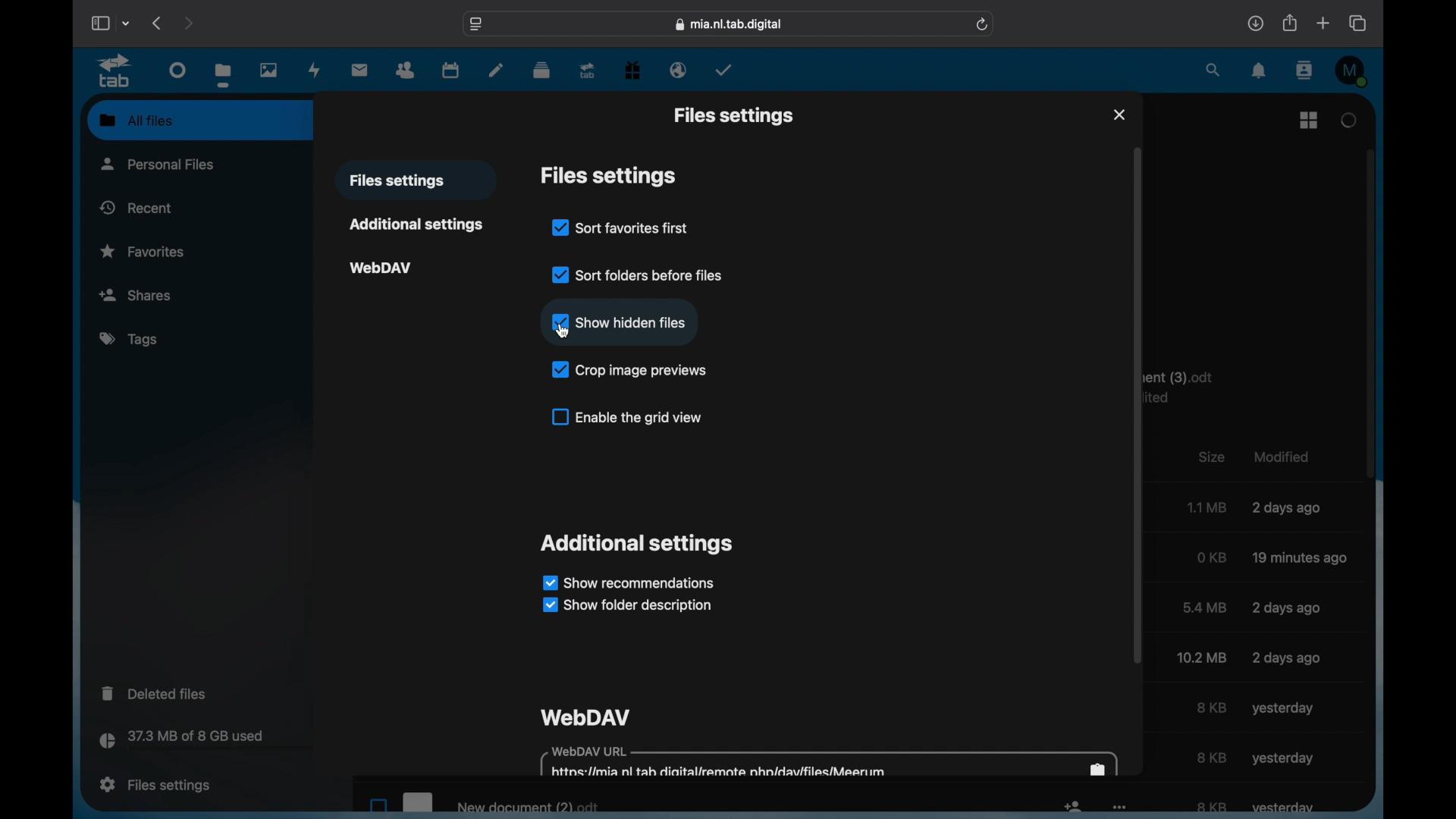 This screenshot has height=819, width=1456. What do you see at coordinates (268, 71) in the screenshot?
I see `photos` at bounding box center [268, 71].